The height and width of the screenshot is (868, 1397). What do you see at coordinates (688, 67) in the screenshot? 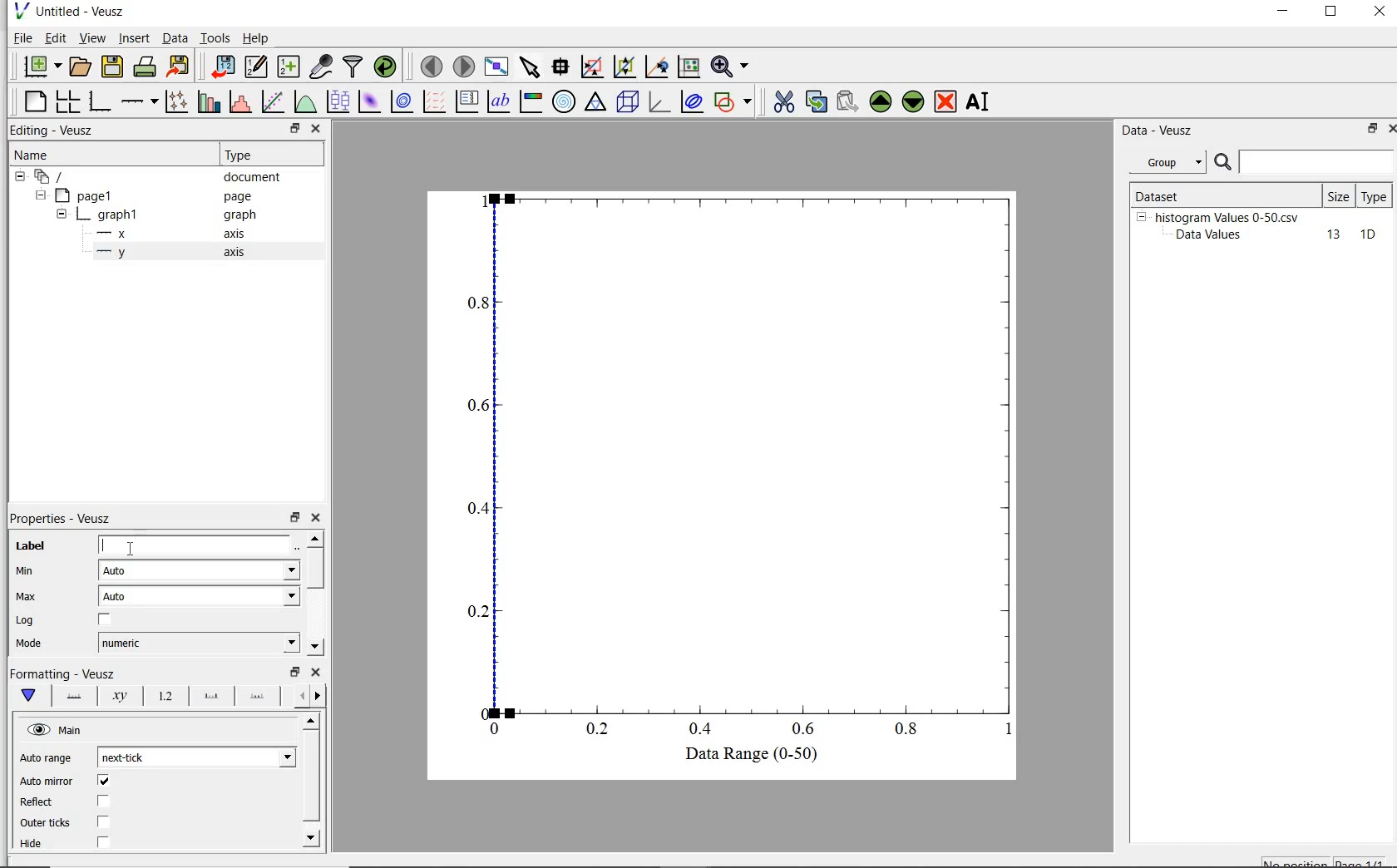
I see `click to recenter graph axes` at bounding box center [688, 67].